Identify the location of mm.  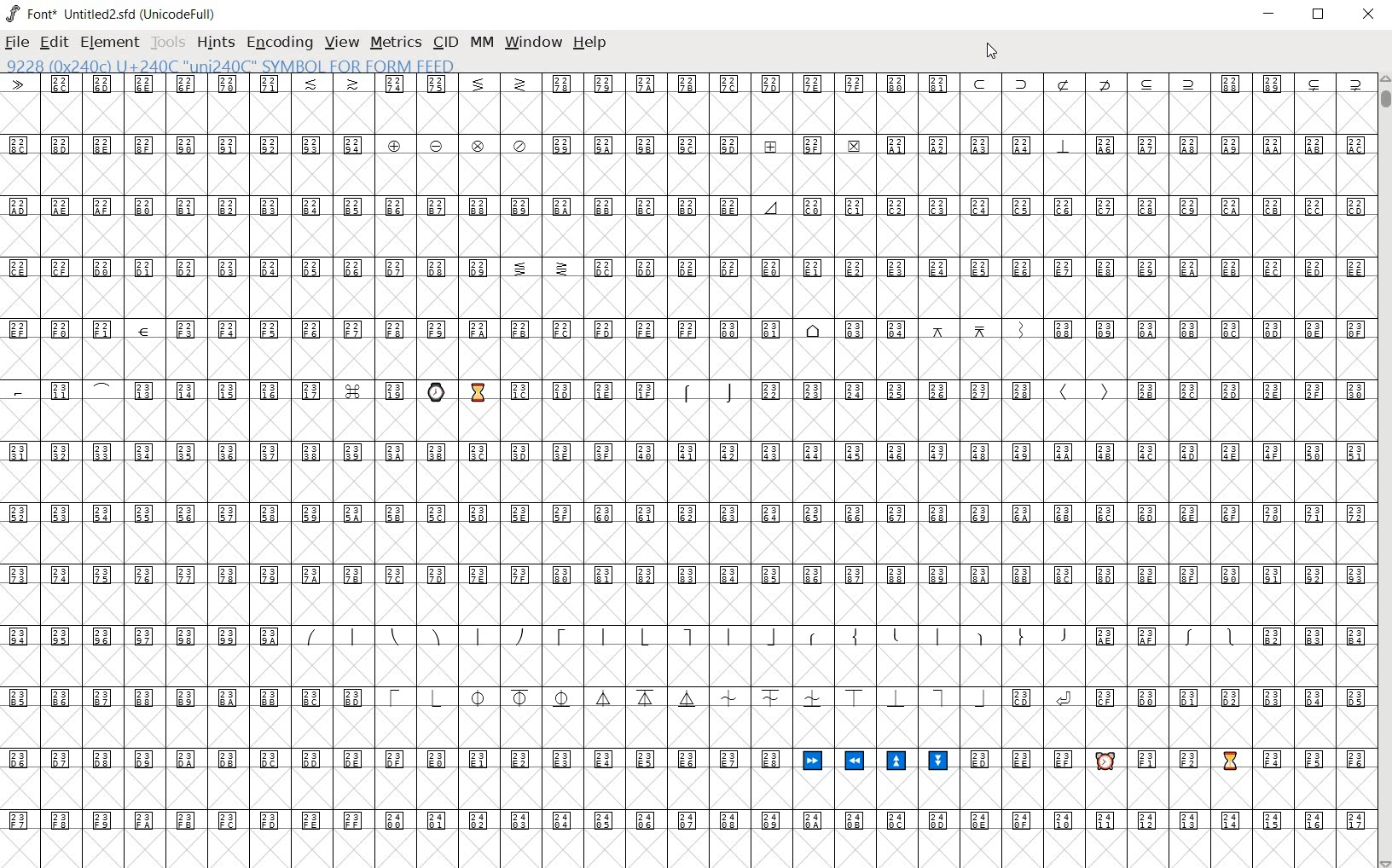
(482, 42).